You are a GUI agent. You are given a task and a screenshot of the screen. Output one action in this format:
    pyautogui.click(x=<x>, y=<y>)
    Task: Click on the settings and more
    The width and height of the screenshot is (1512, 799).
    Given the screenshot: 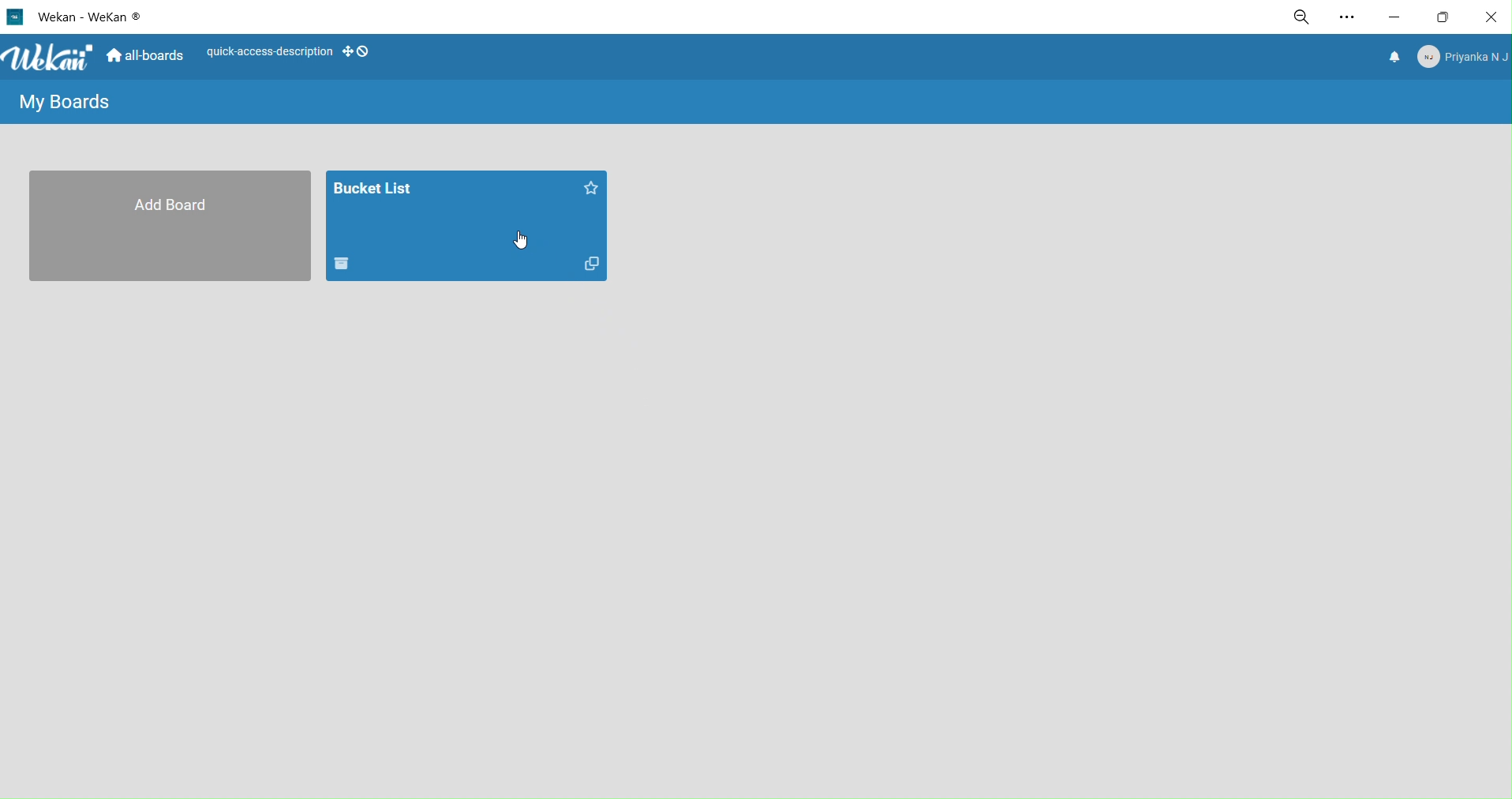 What is the action you would take?
    pyautogui.click(x=1345, y=18)
    